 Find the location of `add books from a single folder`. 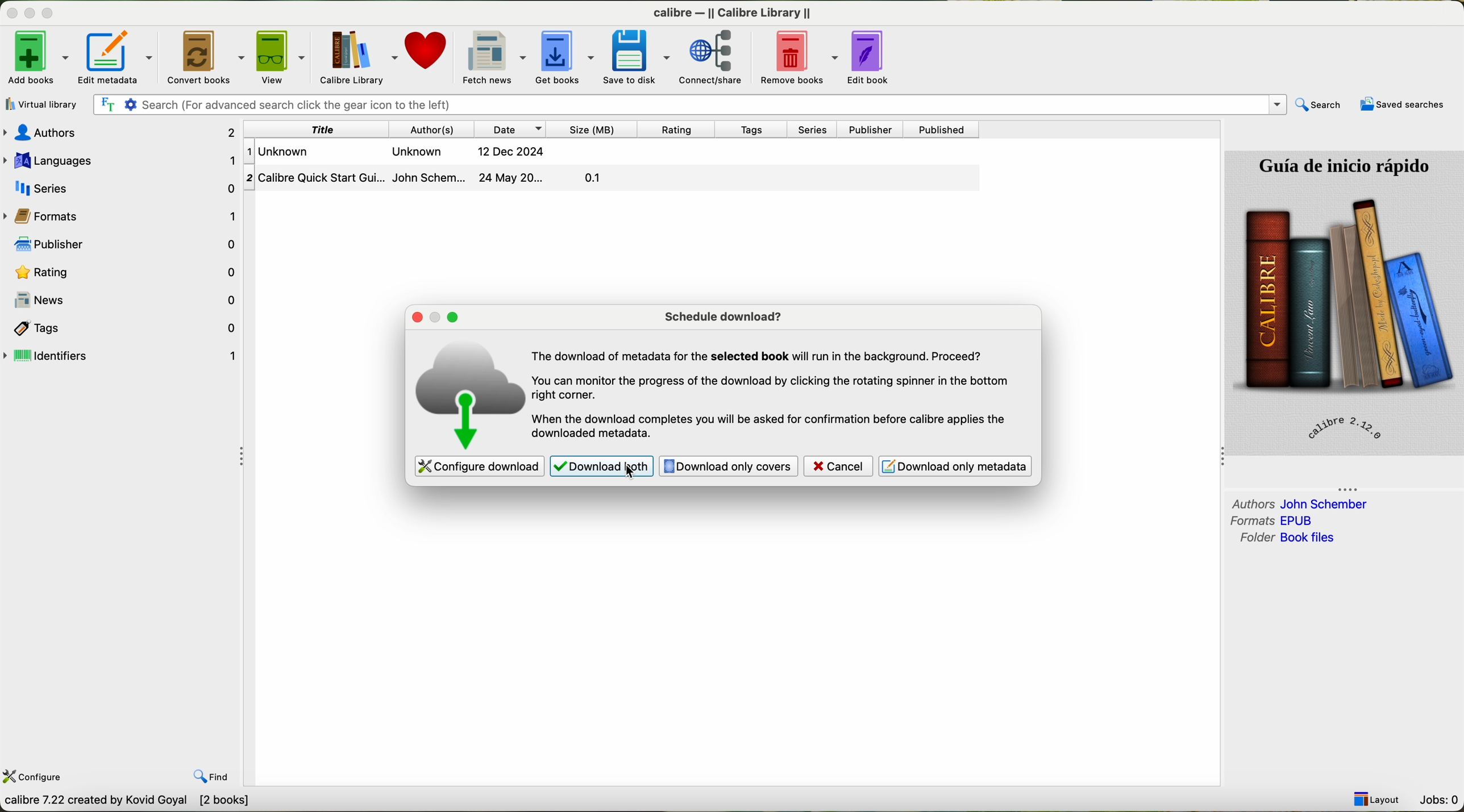

add books from a single folder is located at coordinates (45, 101).